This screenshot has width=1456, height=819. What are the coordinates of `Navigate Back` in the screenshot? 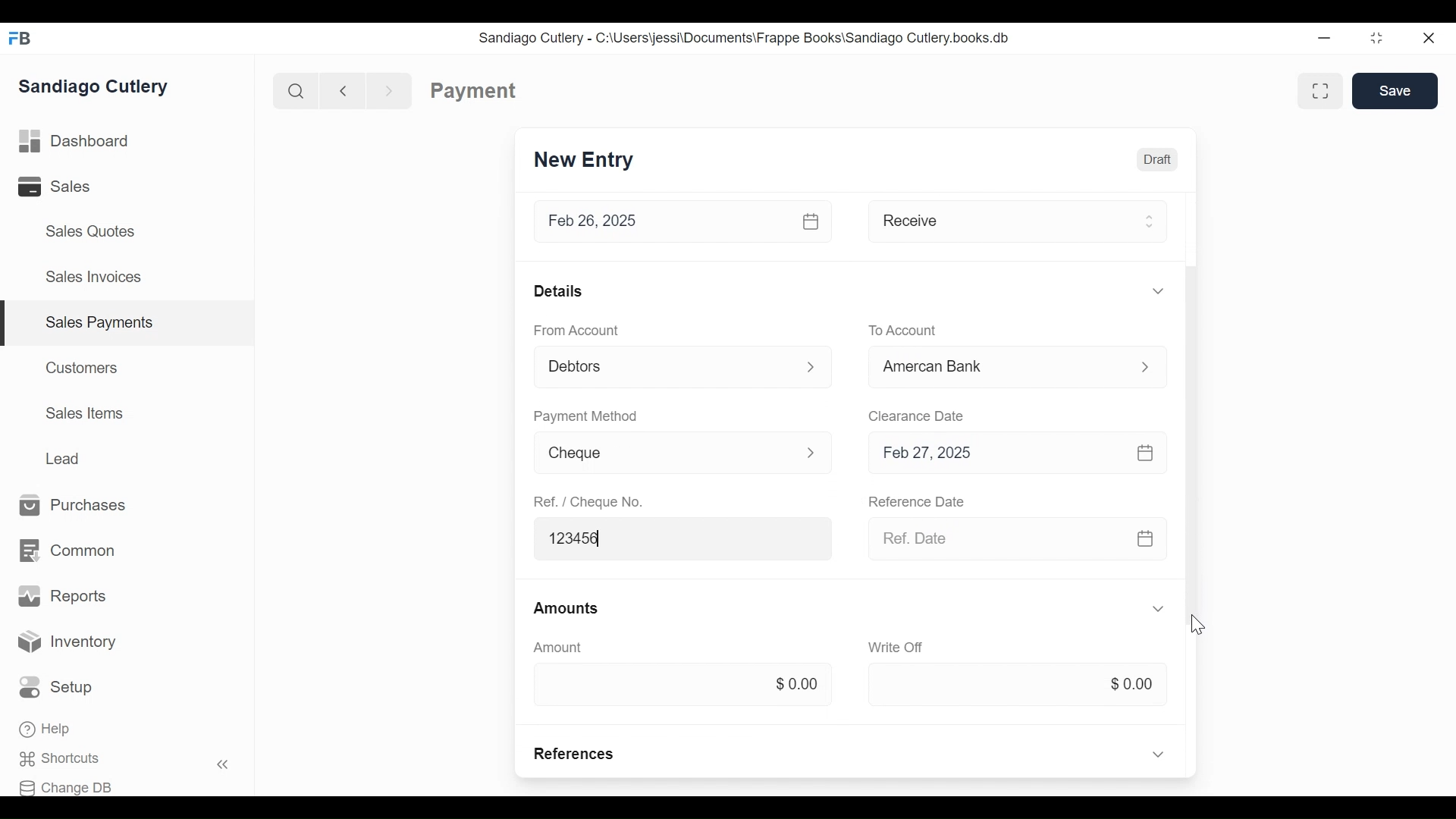 It's located at (340, 90).